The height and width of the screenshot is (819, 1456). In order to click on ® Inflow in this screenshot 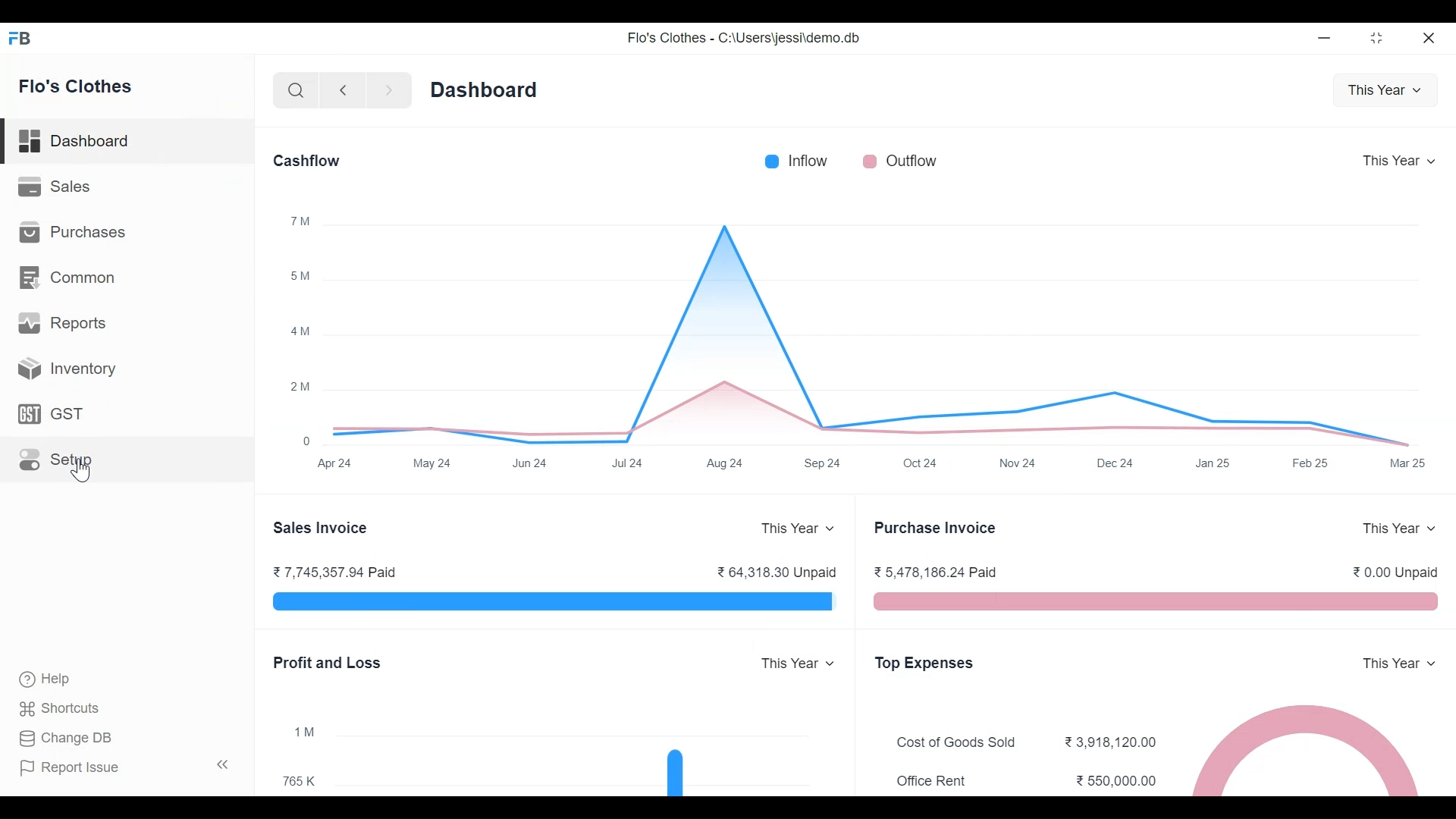, I will do `click(799, 162)`.